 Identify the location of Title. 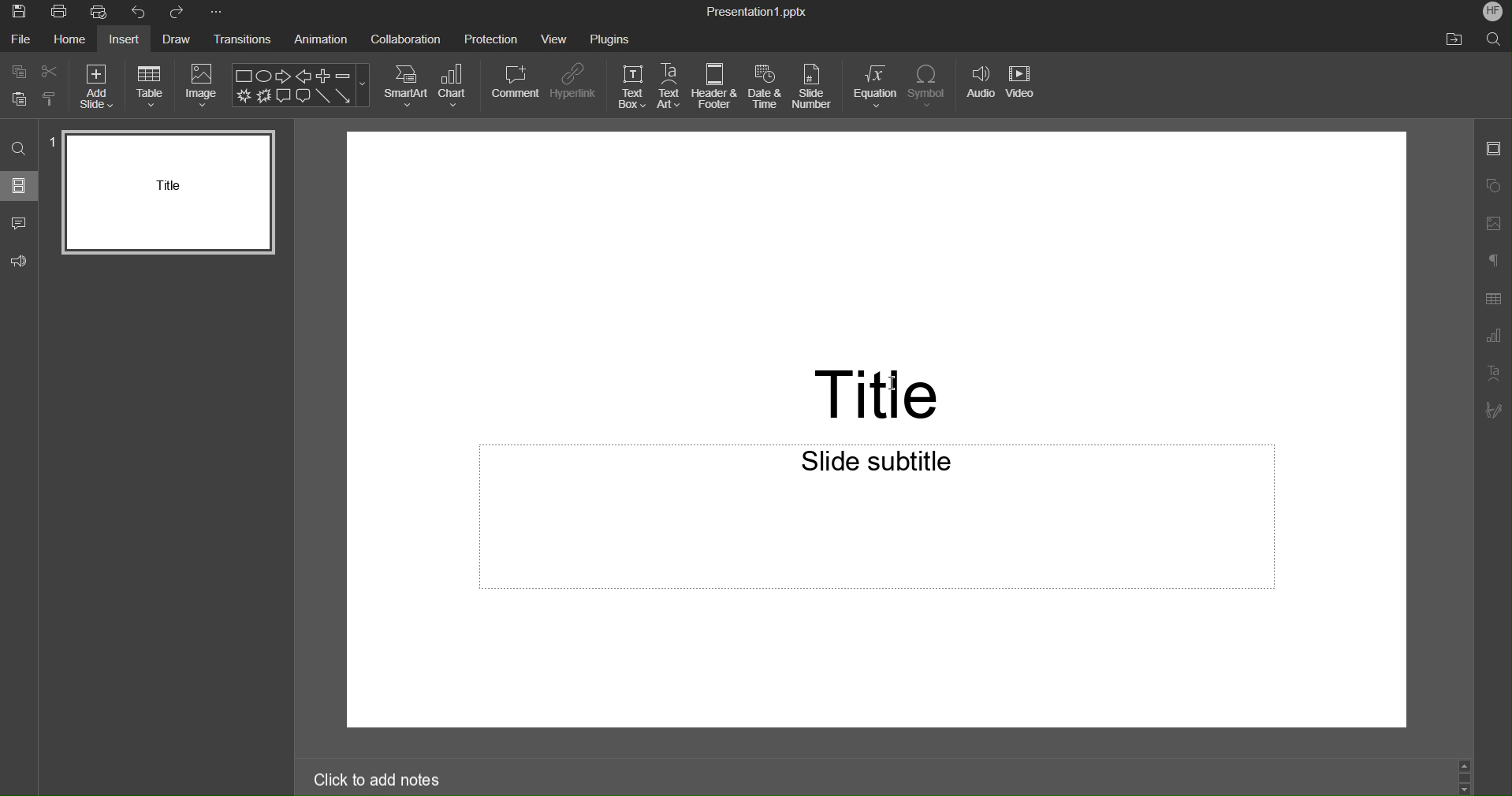
(873, 393).